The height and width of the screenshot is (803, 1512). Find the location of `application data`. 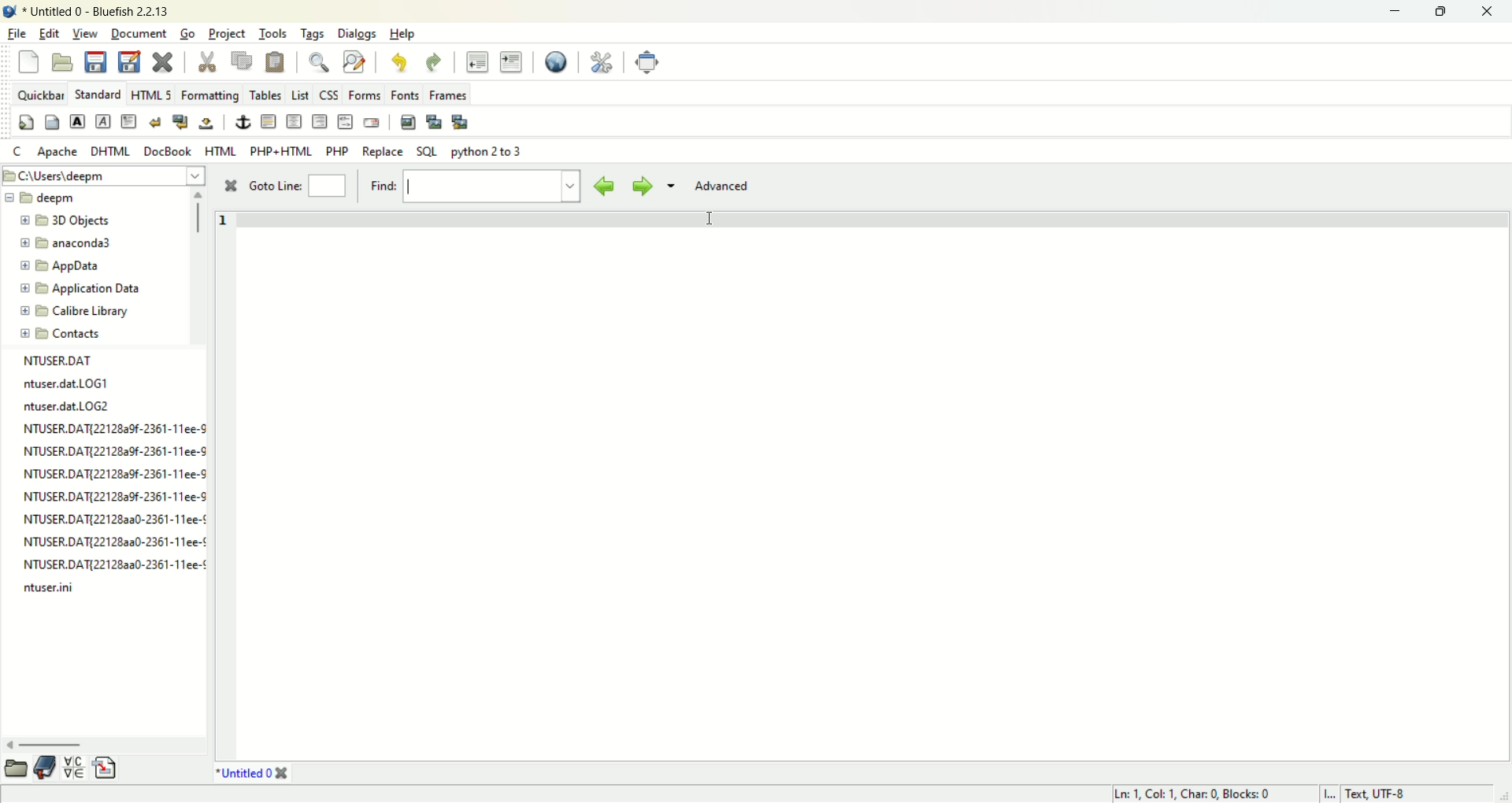

application data is located at coordinates (80, 289).